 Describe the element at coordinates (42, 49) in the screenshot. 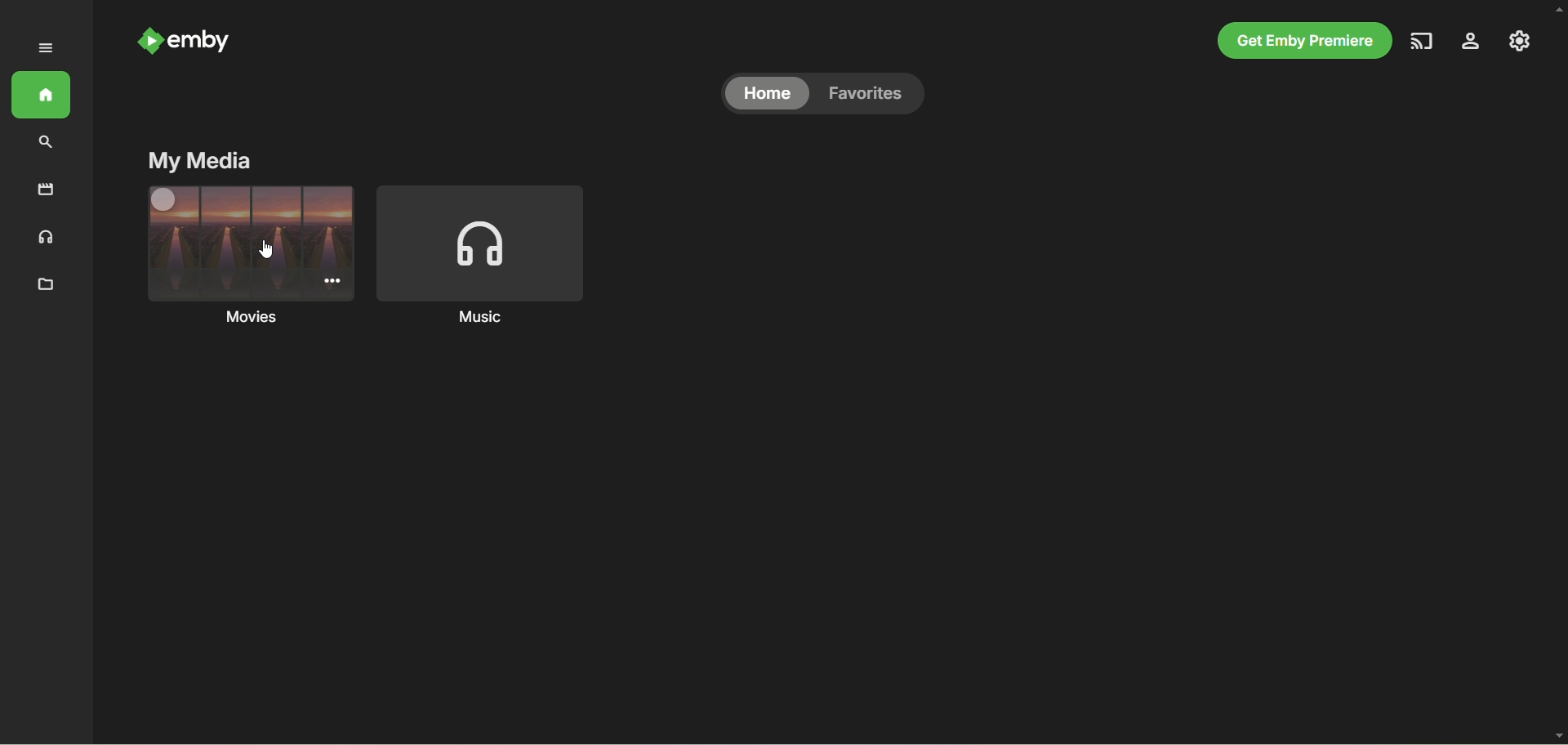

I see `expand` at that location.